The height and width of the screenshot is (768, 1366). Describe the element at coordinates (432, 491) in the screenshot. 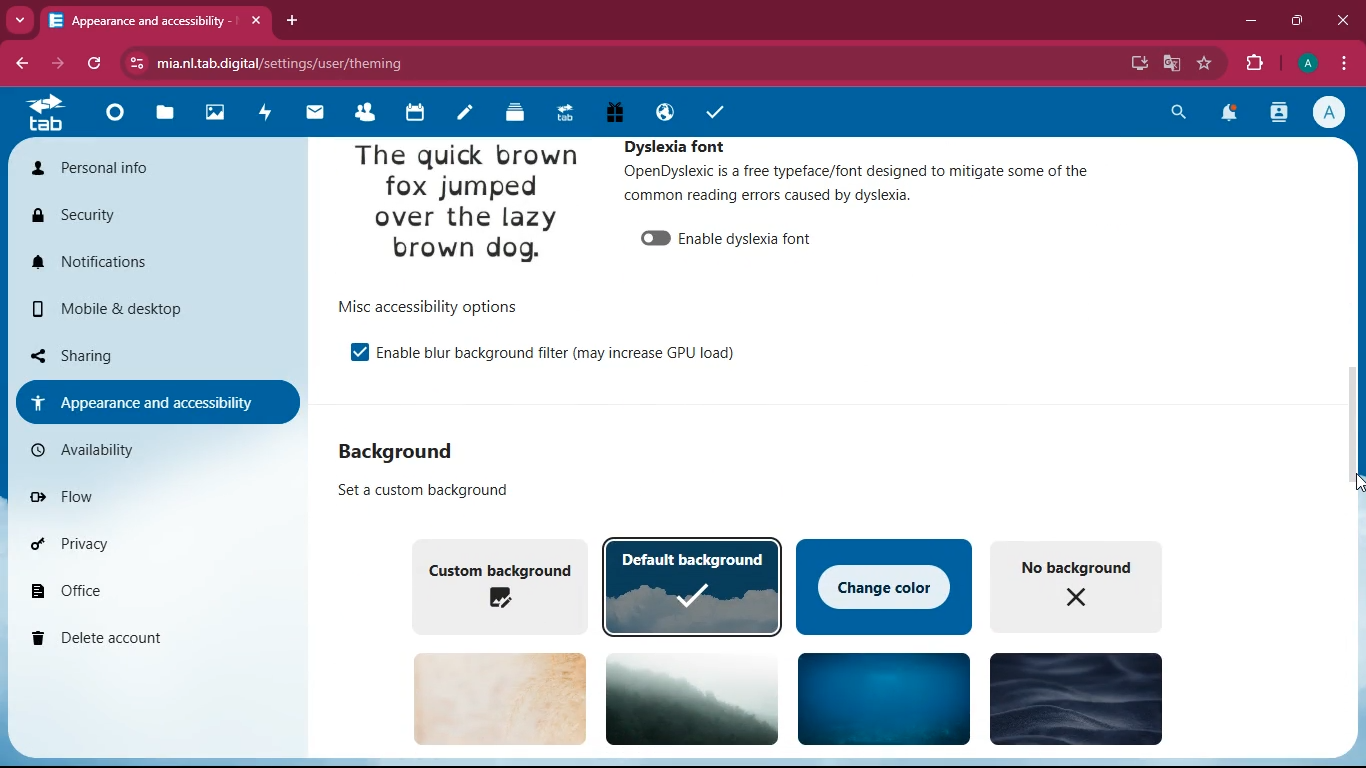

I see `set a custom background` at that location.